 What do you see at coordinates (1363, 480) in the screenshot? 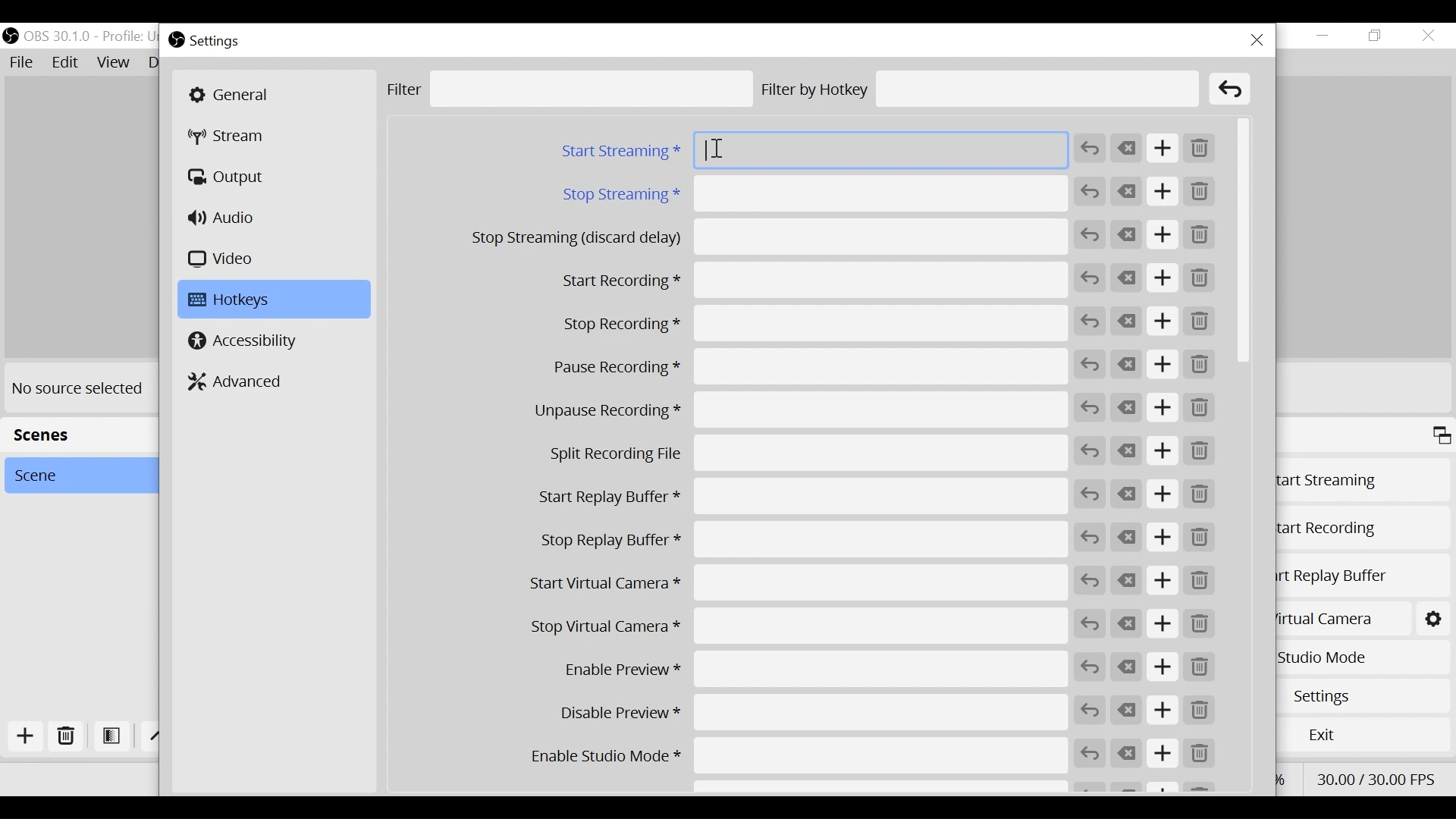
I see `Start Streaming` at bounding box center [1363, 480].